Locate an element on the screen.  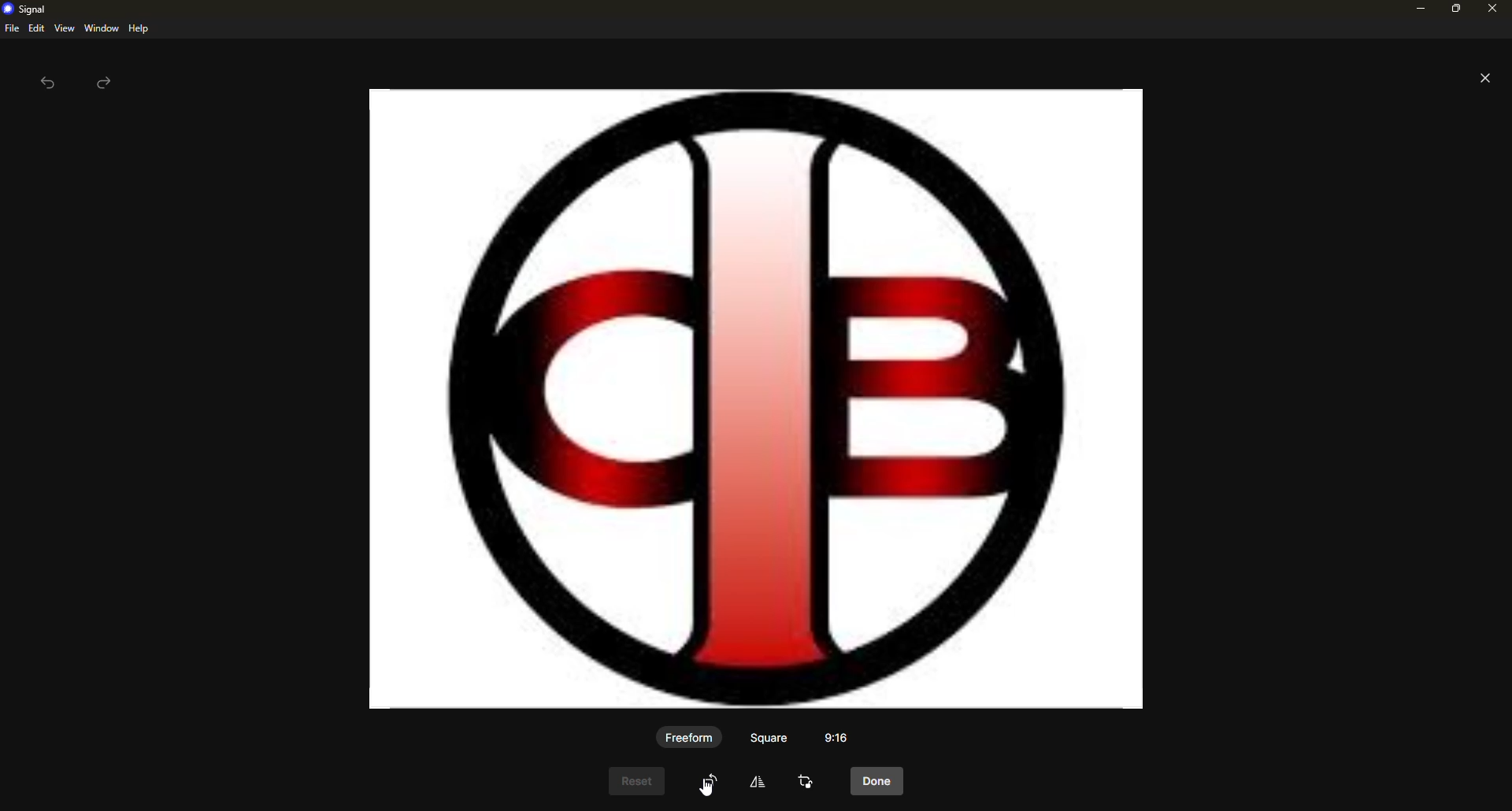
cursor on rotate is located at coordinates (713, 781).